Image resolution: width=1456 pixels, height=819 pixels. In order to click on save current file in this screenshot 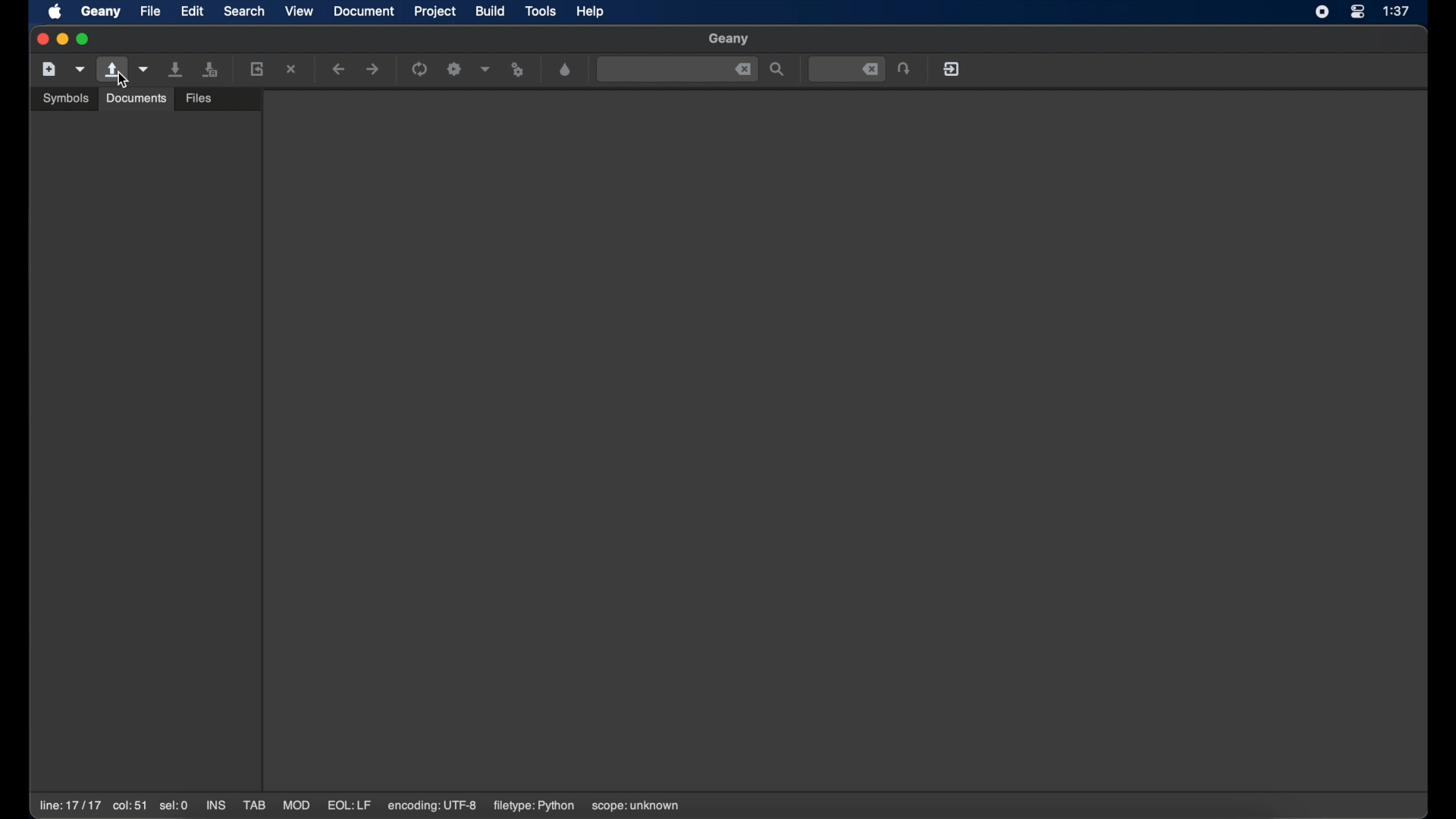, I will do `click(176, 69)`.